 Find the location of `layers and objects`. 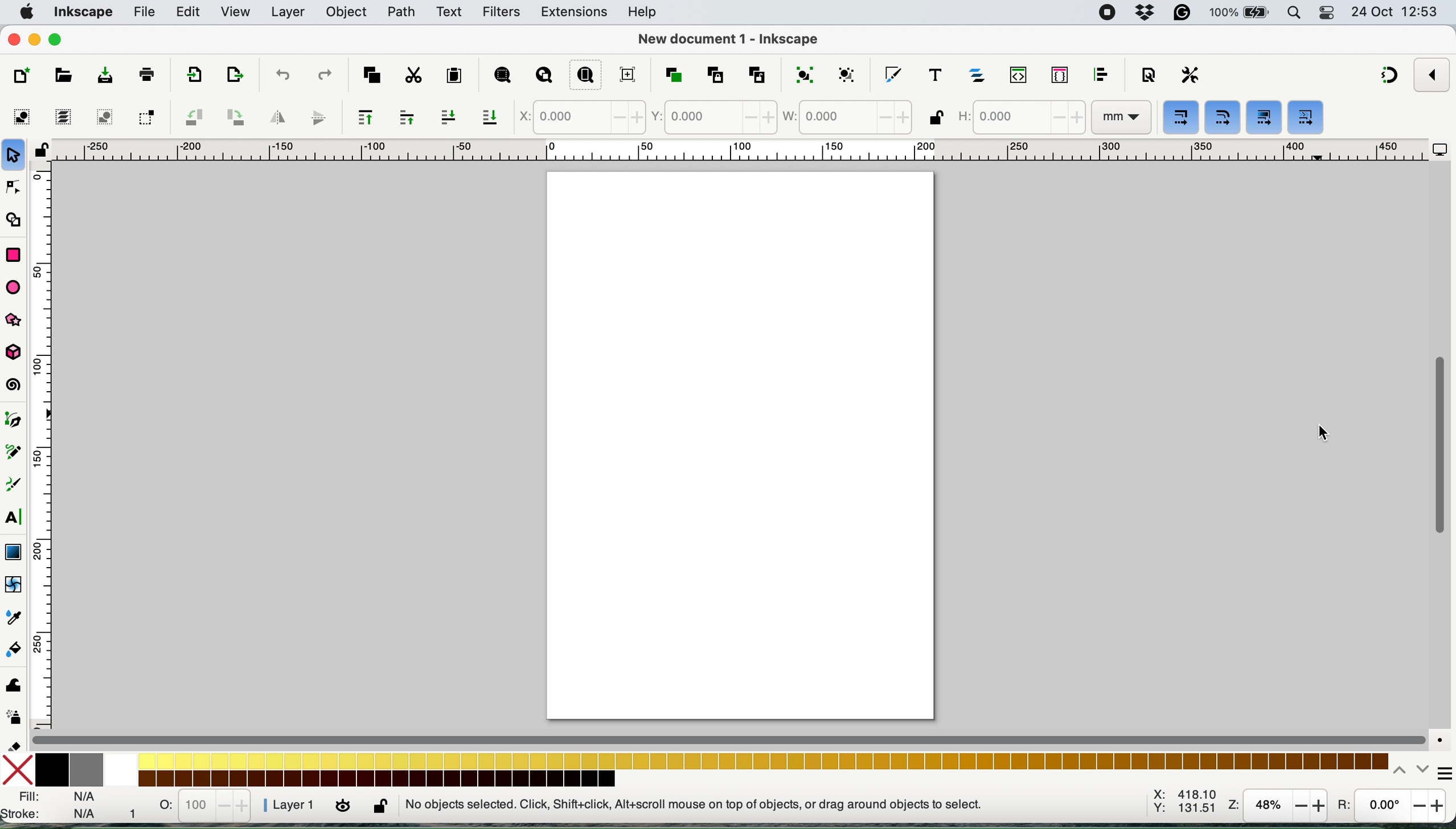

layers and objects is located at coordinates (982, 72).